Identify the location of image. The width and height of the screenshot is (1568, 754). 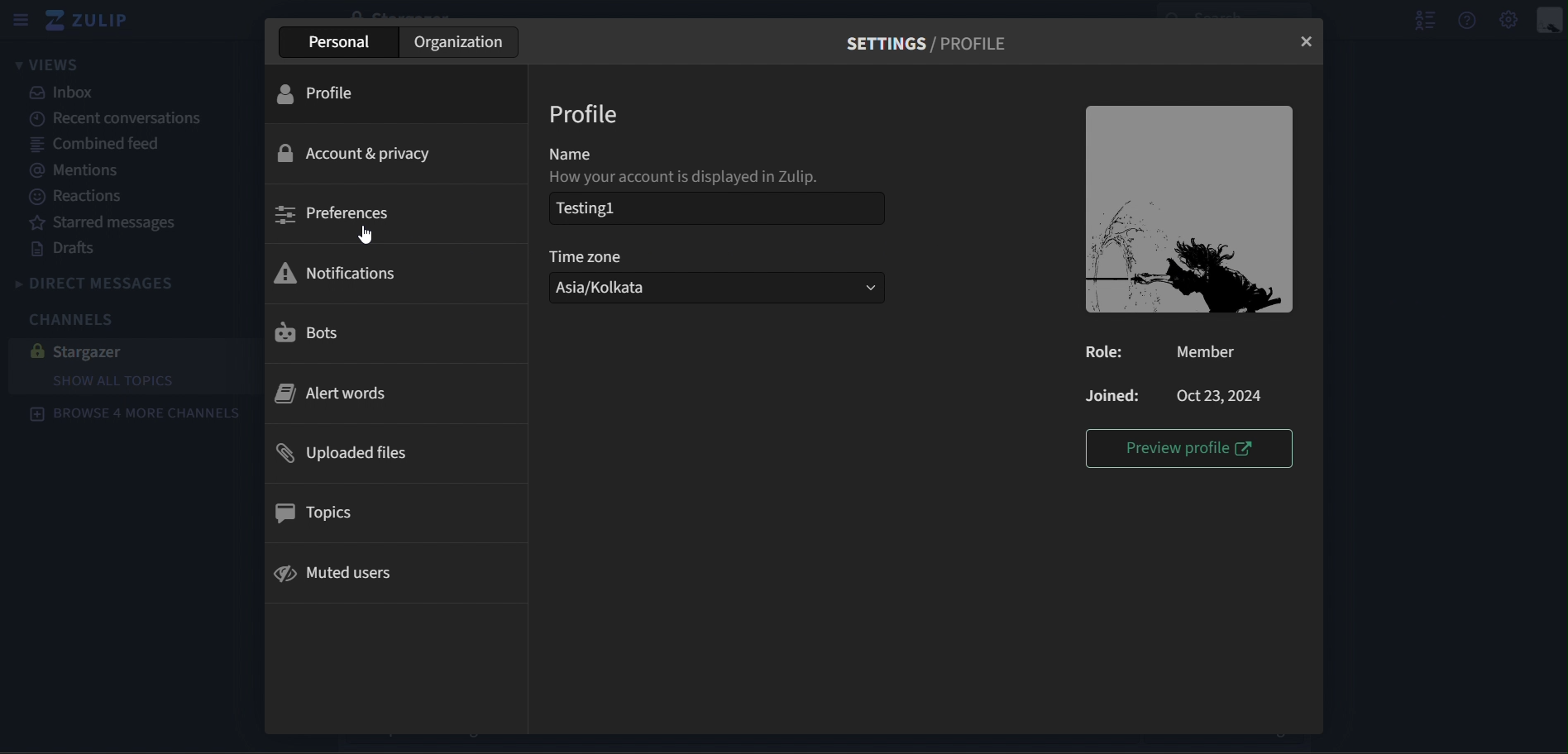
(1188, 209).